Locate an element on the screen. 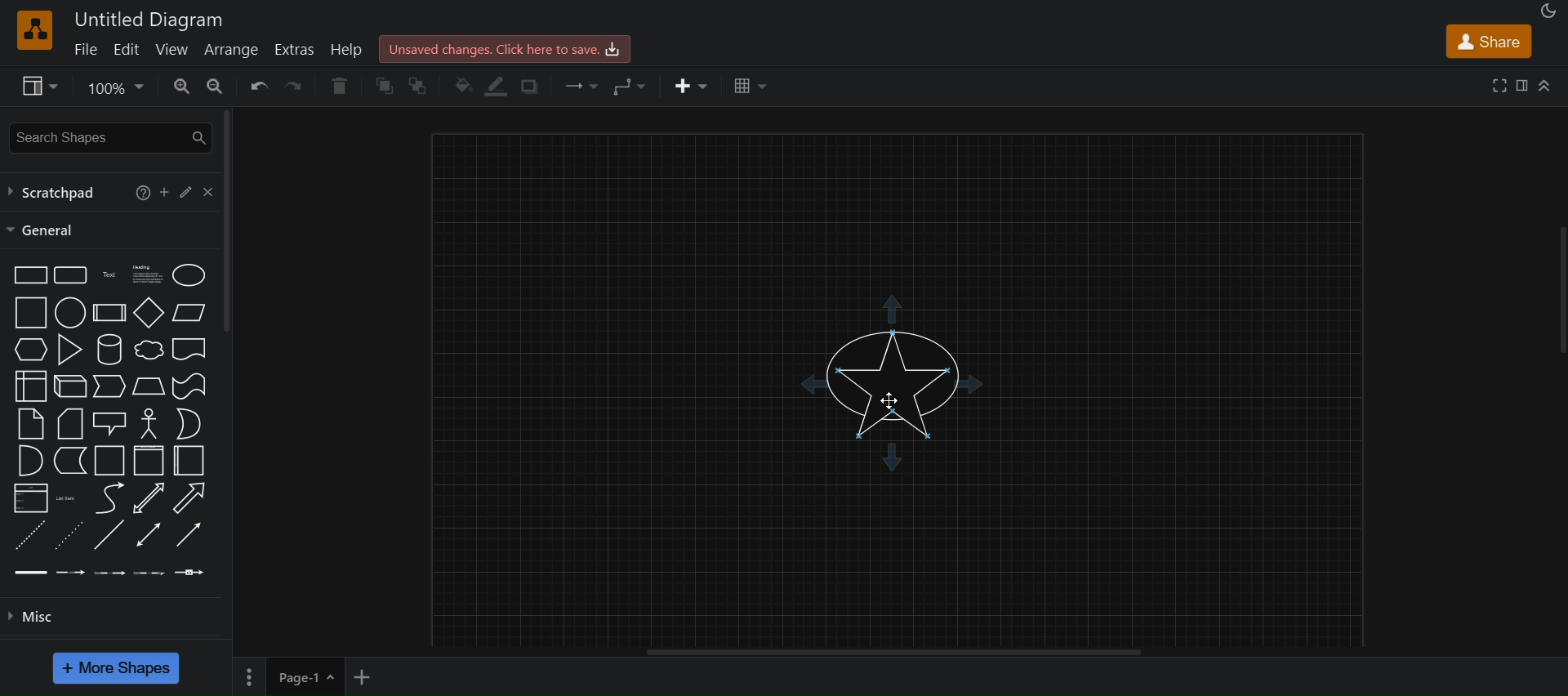  callout is located at coordinates (109, 422).